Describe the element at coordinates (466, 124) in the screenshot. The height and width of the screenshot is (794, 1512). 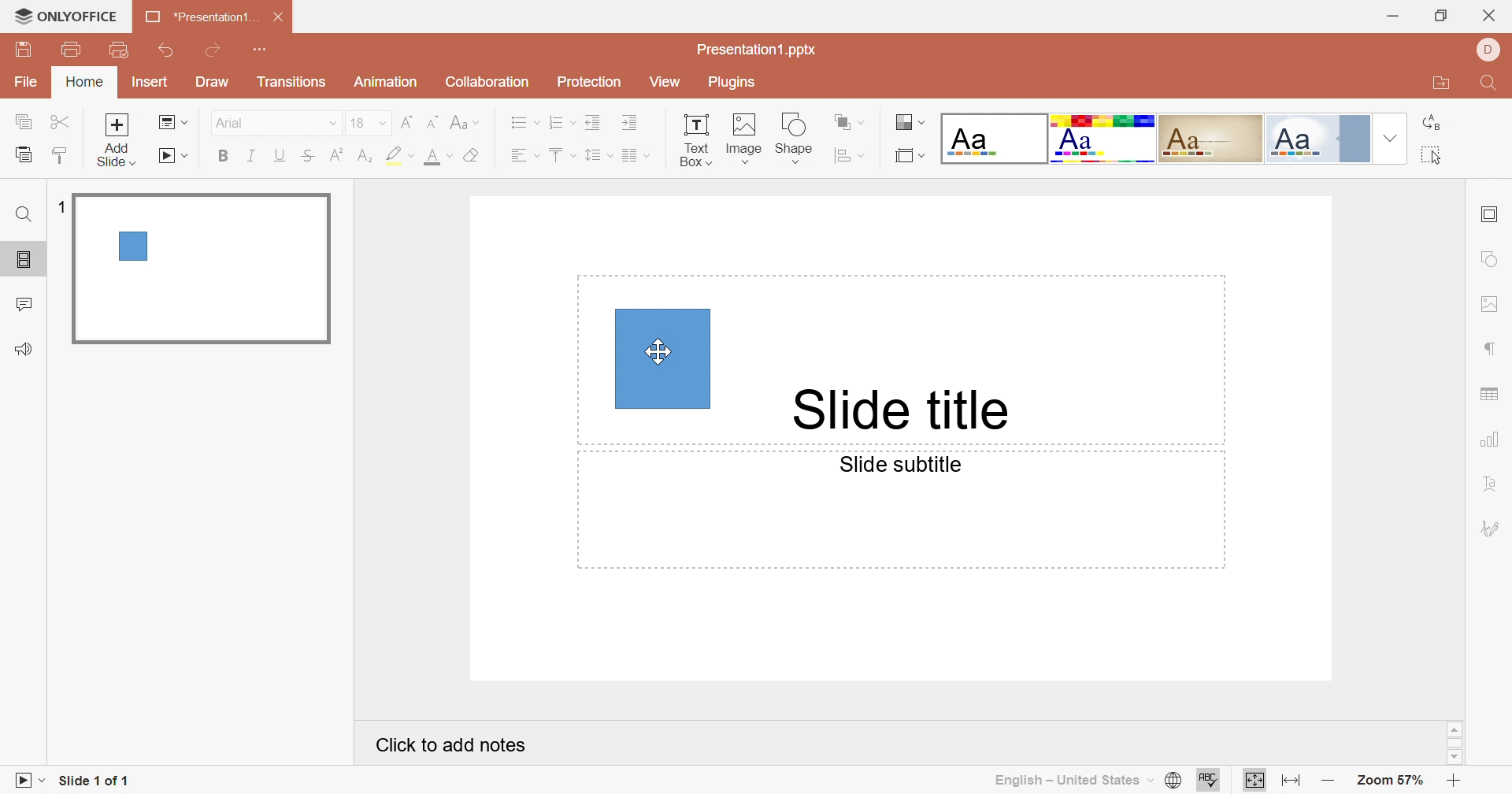
I see `Change case` at that location.